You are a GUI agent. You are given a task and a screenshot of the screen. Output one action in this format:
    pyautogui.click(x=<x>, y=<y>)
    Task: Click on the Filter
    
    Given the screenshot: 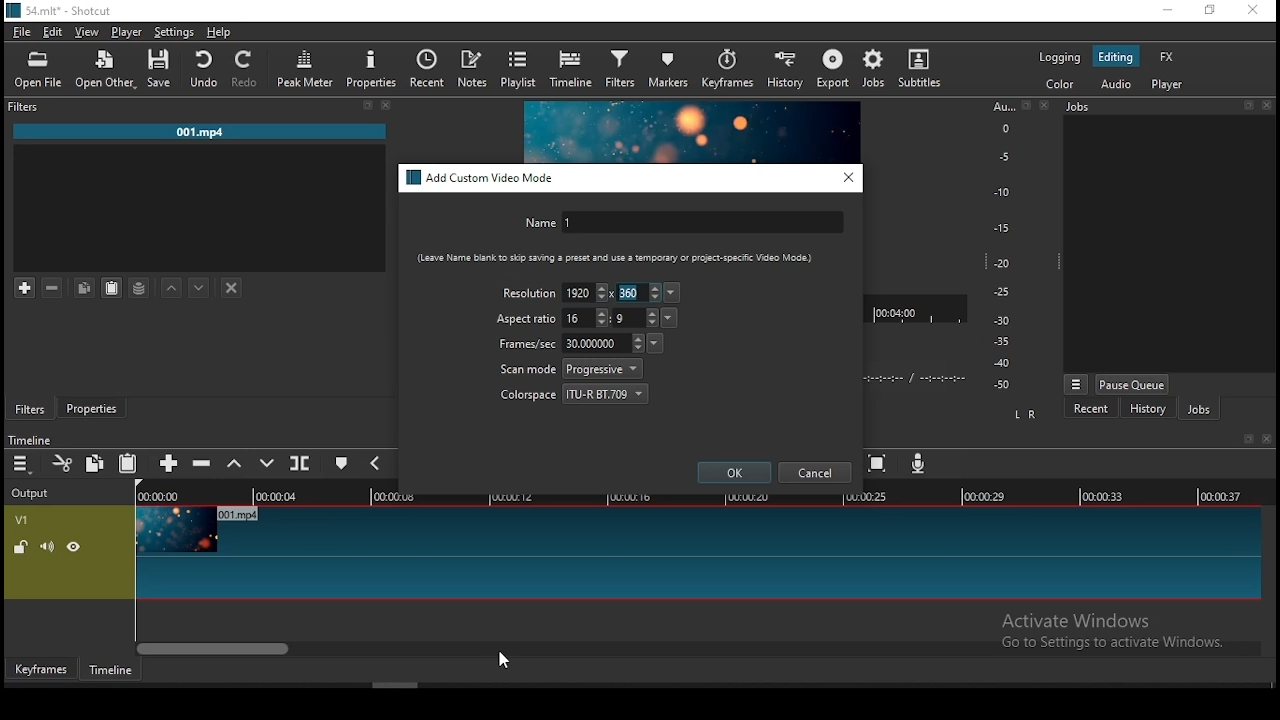 What is the action you would take?
    pyautogui.click(x=26, y=107)
    